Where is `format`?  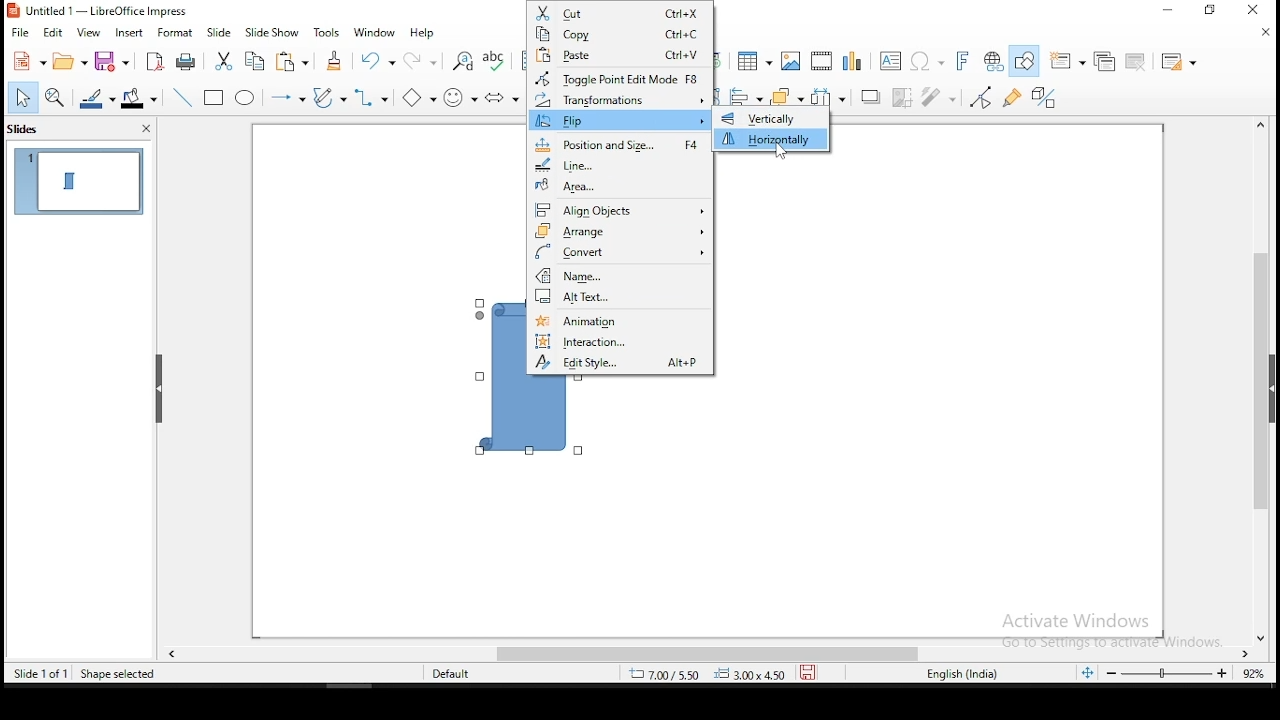
format is located at coordinates (179, 34).